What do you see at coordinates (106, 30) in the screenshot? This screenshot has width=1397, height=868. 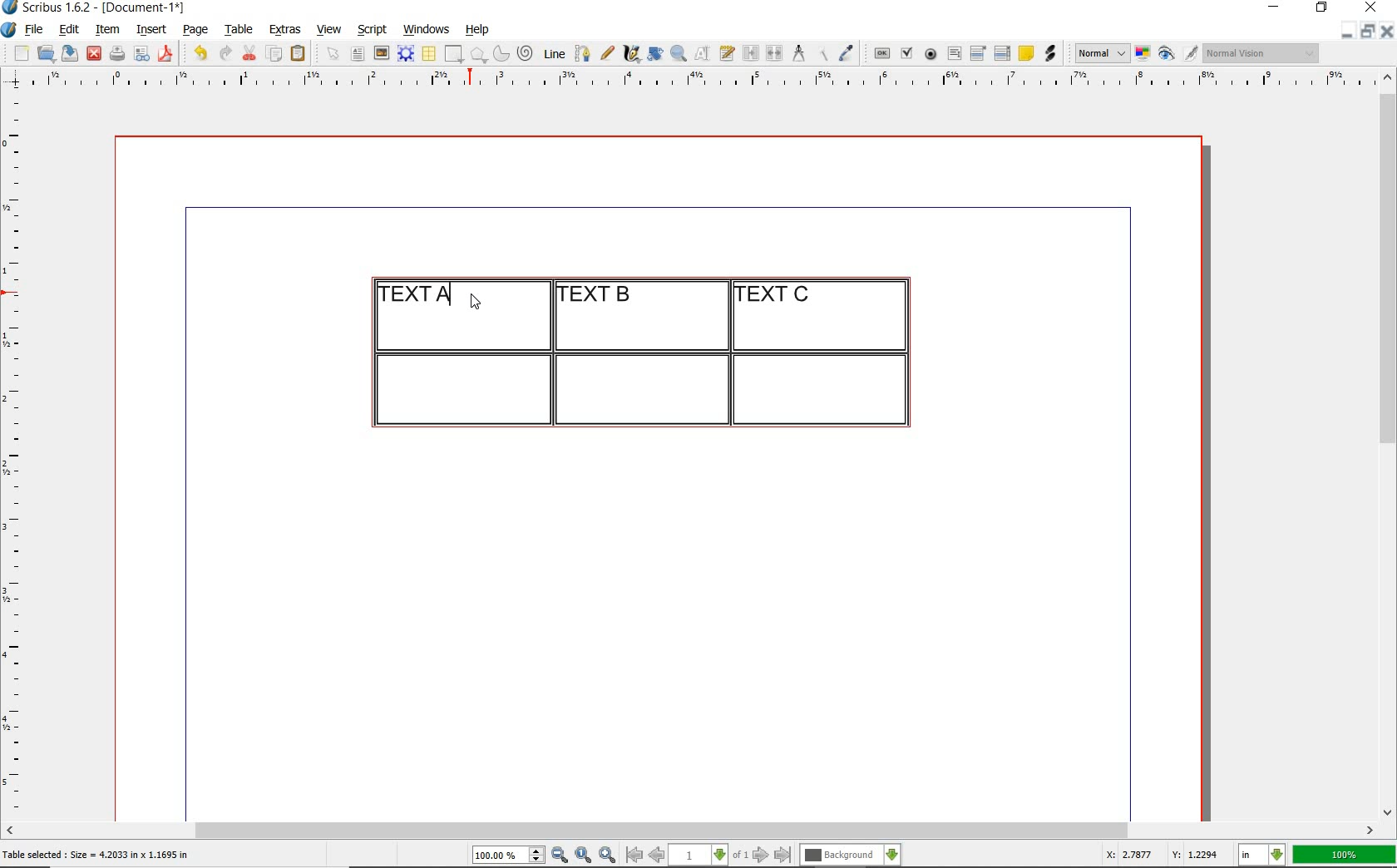 I see `item` at bounding box center [106, 30].